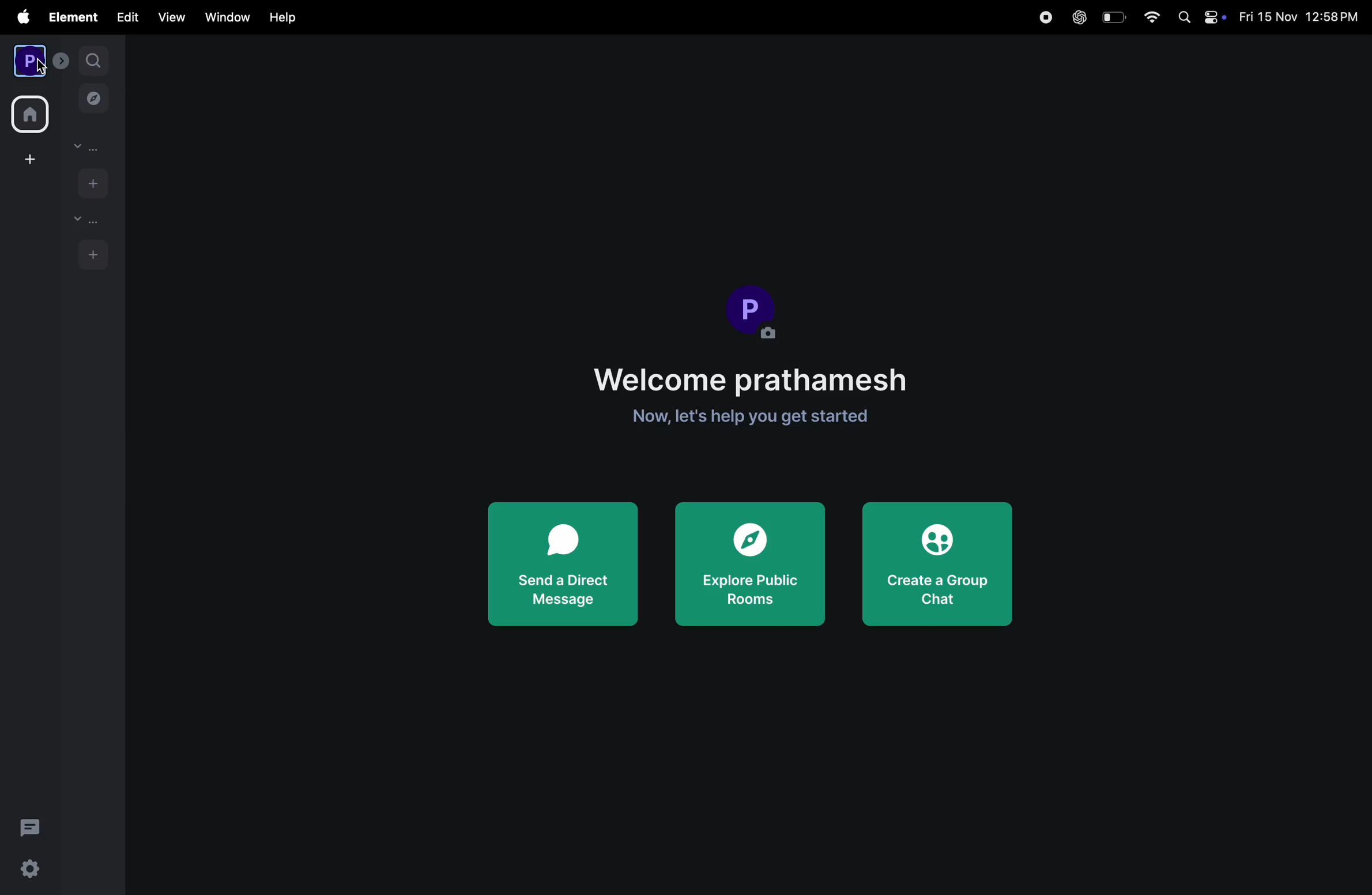  What do you see at coordinates (1301, 18) in the screenshot?
I see `date and time` at bounding box center [1301, 18].